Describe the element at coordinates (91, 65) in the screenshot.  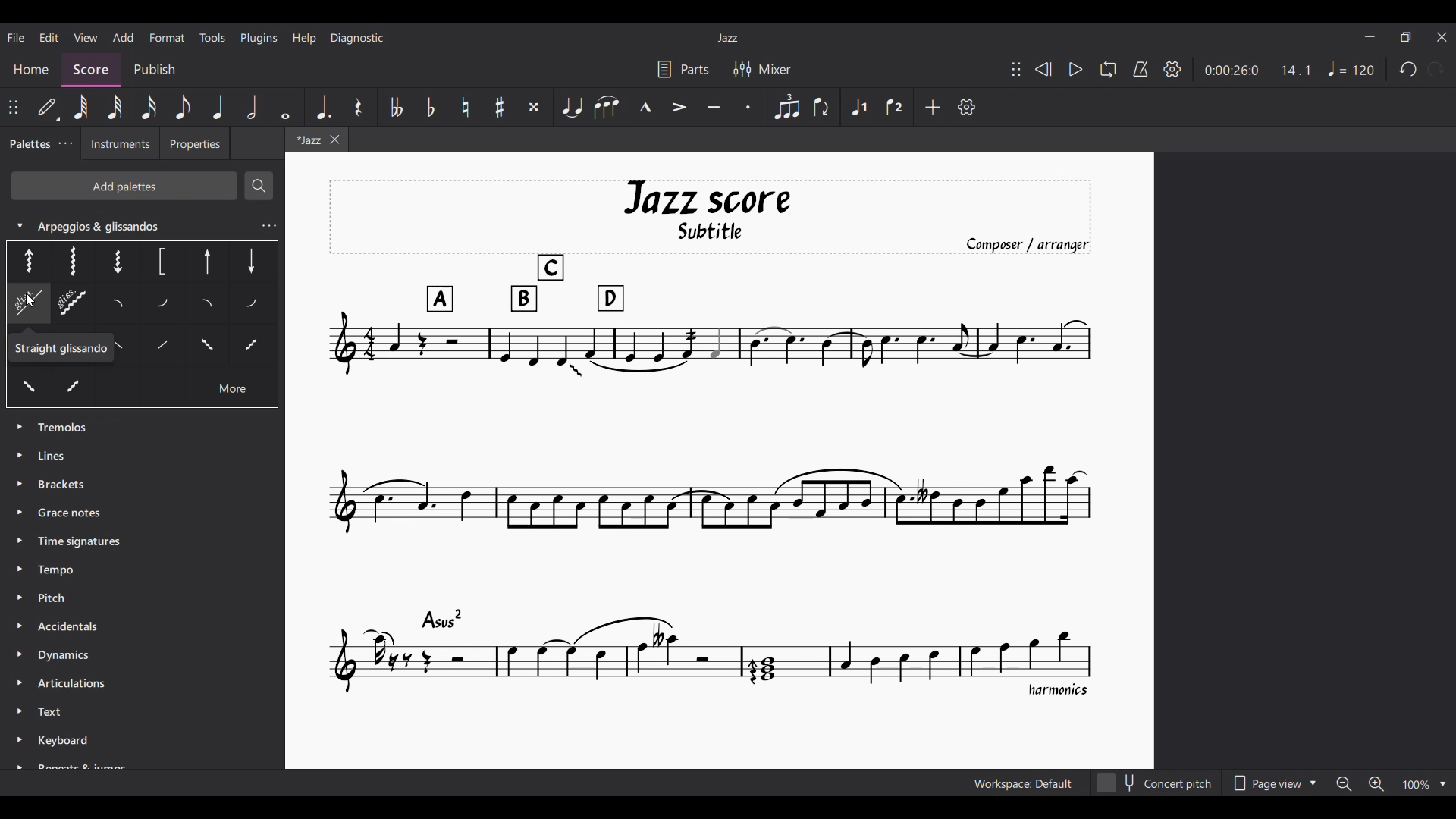
I see `Score, current section highlighted` at that location.